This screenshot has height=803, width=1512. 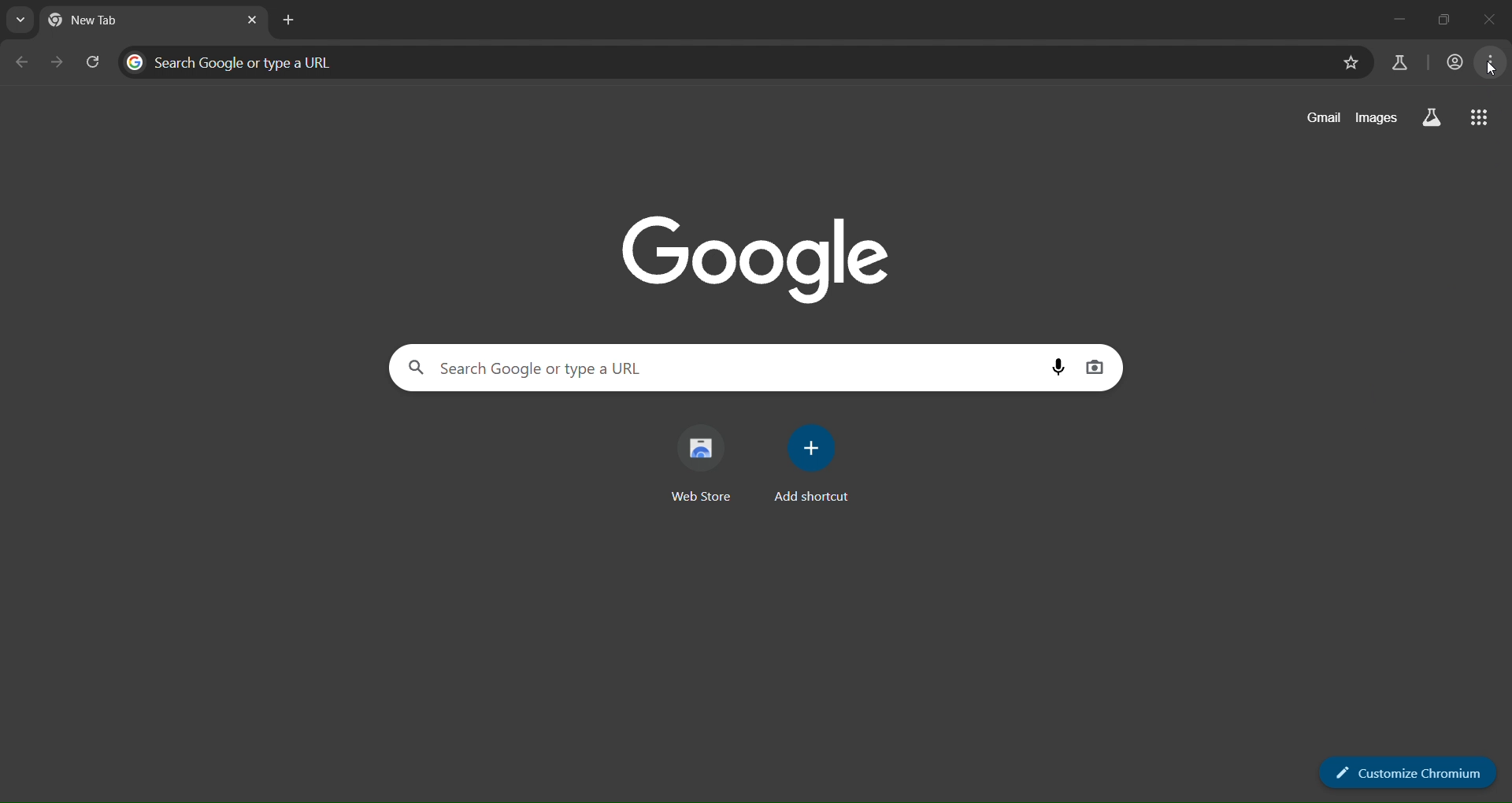 I want to click on Google , so click(x=753, y=254).